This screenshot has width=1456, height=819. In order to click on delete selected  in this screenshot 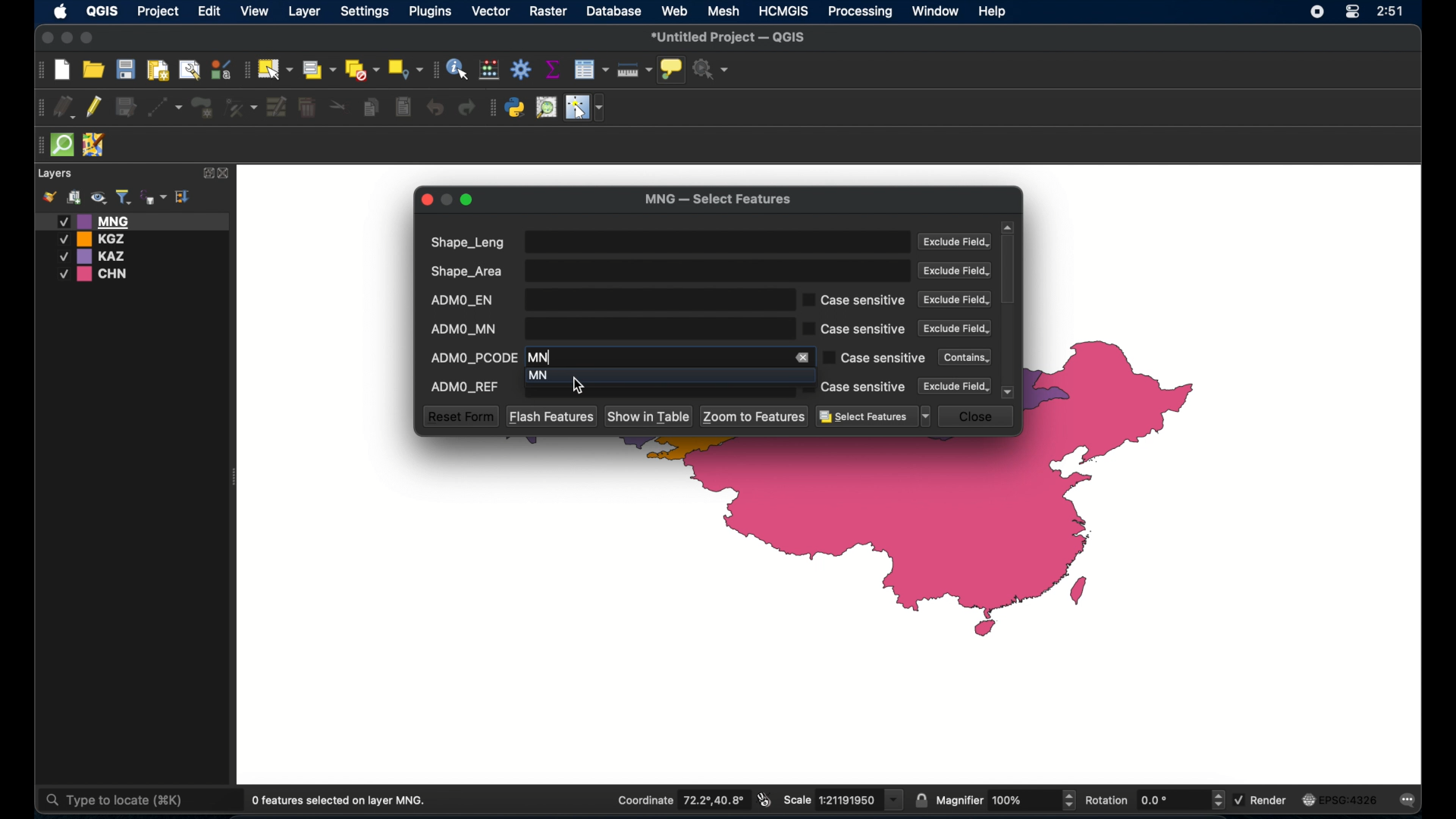, I will do `click(309, 108)`.